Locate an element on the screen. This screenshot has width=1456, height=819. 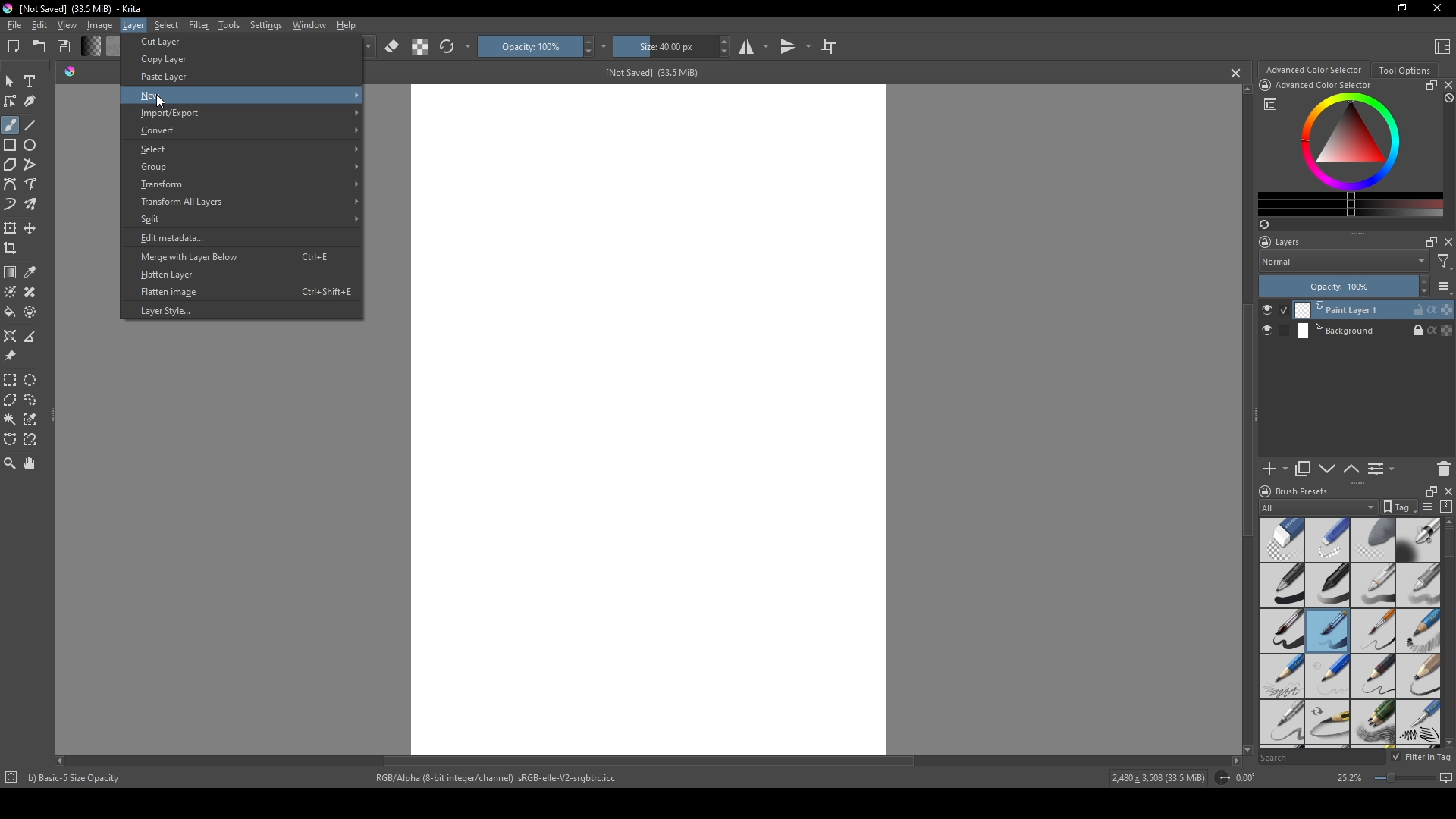
Edit metadata... is located at coordinates (180, 237).